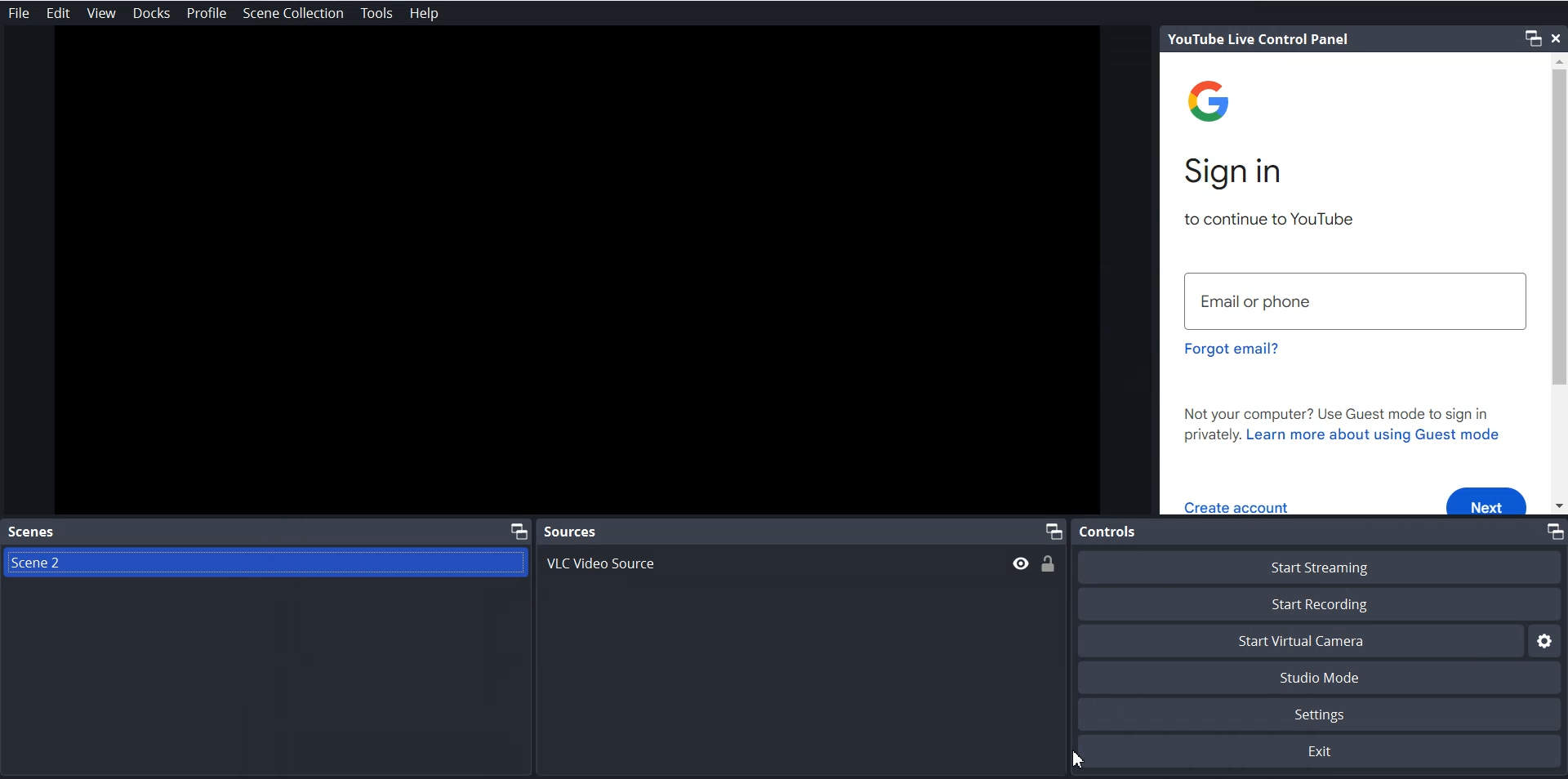 The width and height of the screenshot is (1568, 779). Describe the element at coordinates (21, 12) in the screenshot. I see `File` at that location.